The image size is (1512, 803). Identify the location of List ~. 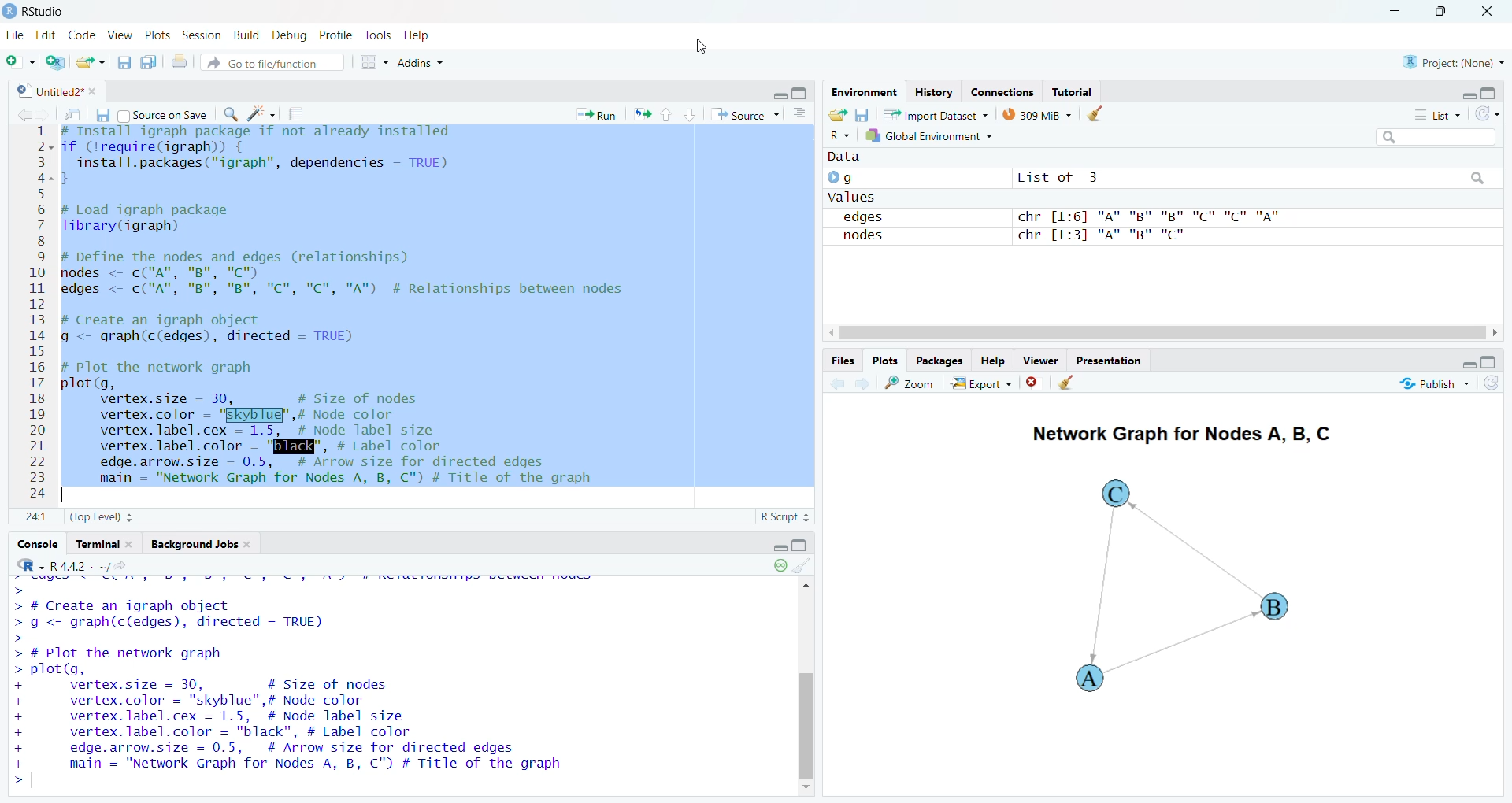
(1432, 113).